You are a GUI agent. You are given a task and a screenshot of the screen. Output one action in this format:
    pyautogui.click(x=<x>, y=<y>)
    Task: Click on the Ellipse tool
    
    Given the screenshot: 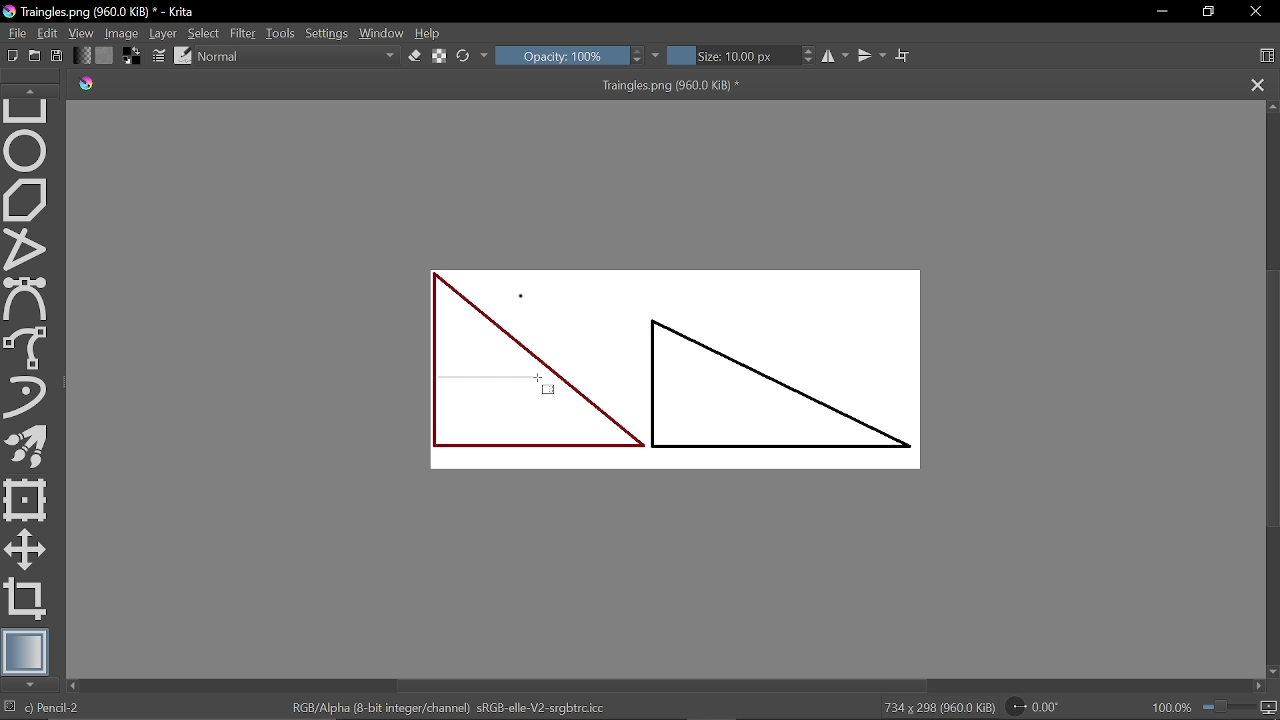 What is the action you would take?
    pyautogui.click(x=26, y=151)
    